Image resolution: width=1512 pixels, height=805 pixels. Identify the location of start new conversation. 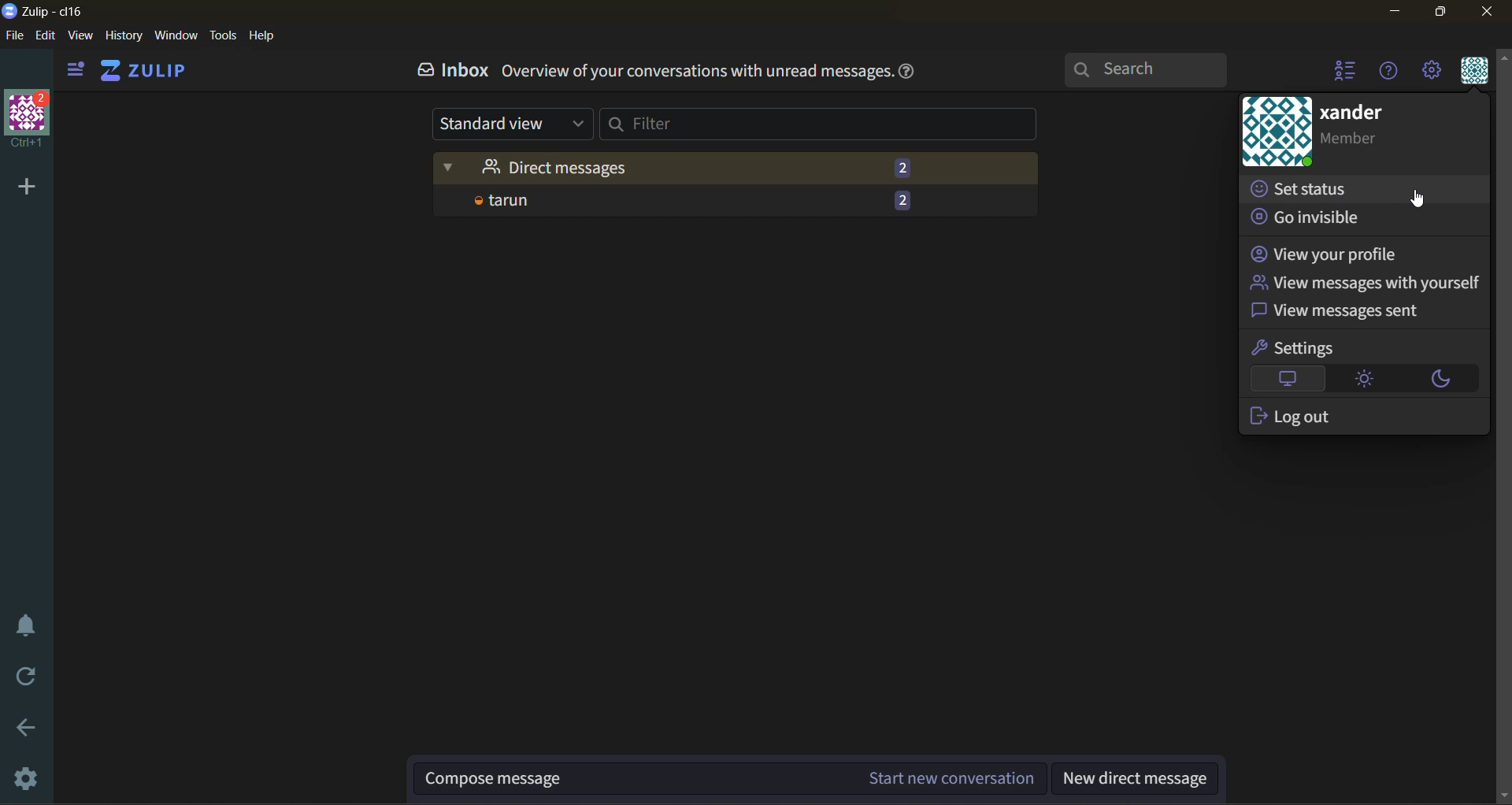
(732, 774).